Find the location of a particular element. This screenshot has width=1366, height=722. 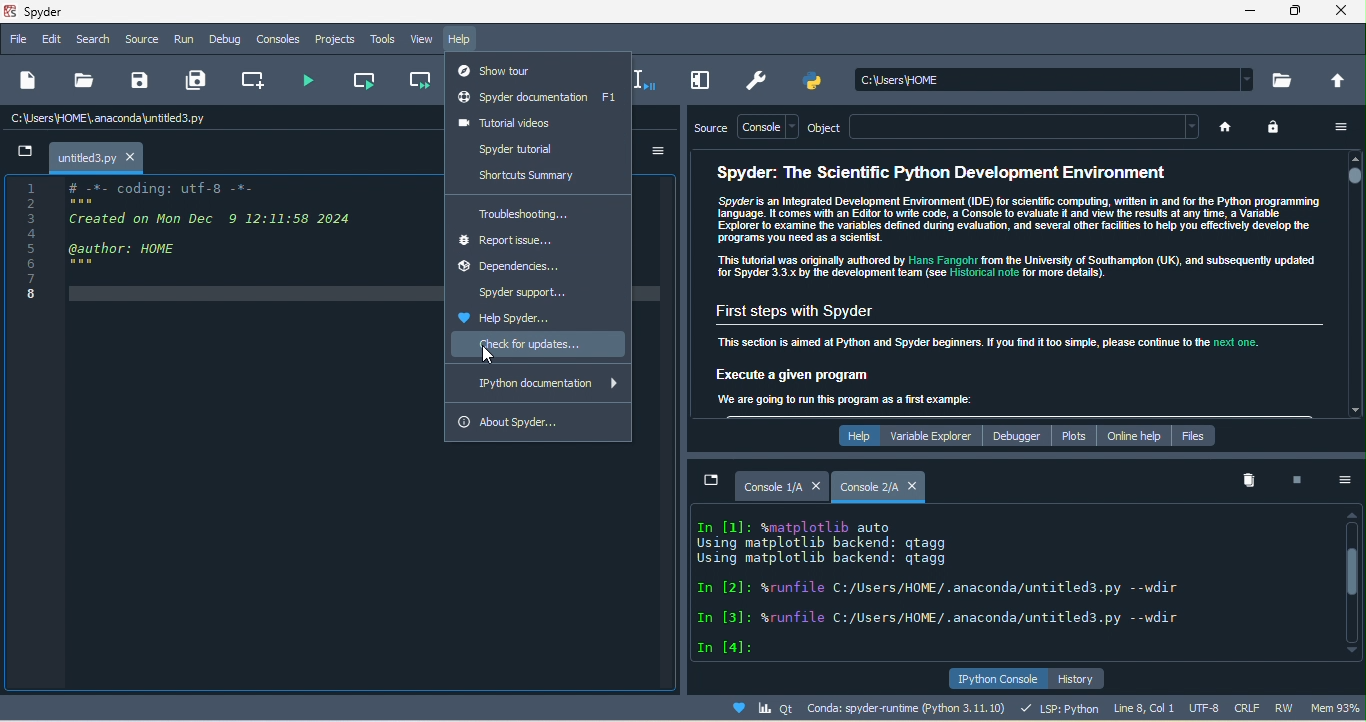

tutorial videos is located at coordinates (525, 126).